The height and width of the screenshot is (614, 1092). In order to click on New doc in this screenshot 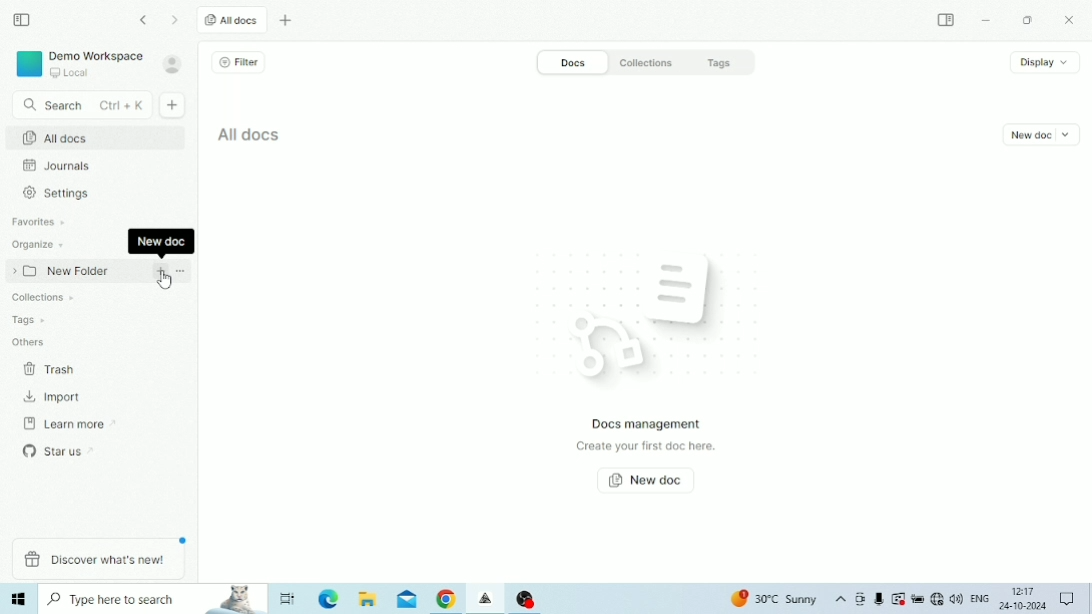, I will do `click(161, 243)`.